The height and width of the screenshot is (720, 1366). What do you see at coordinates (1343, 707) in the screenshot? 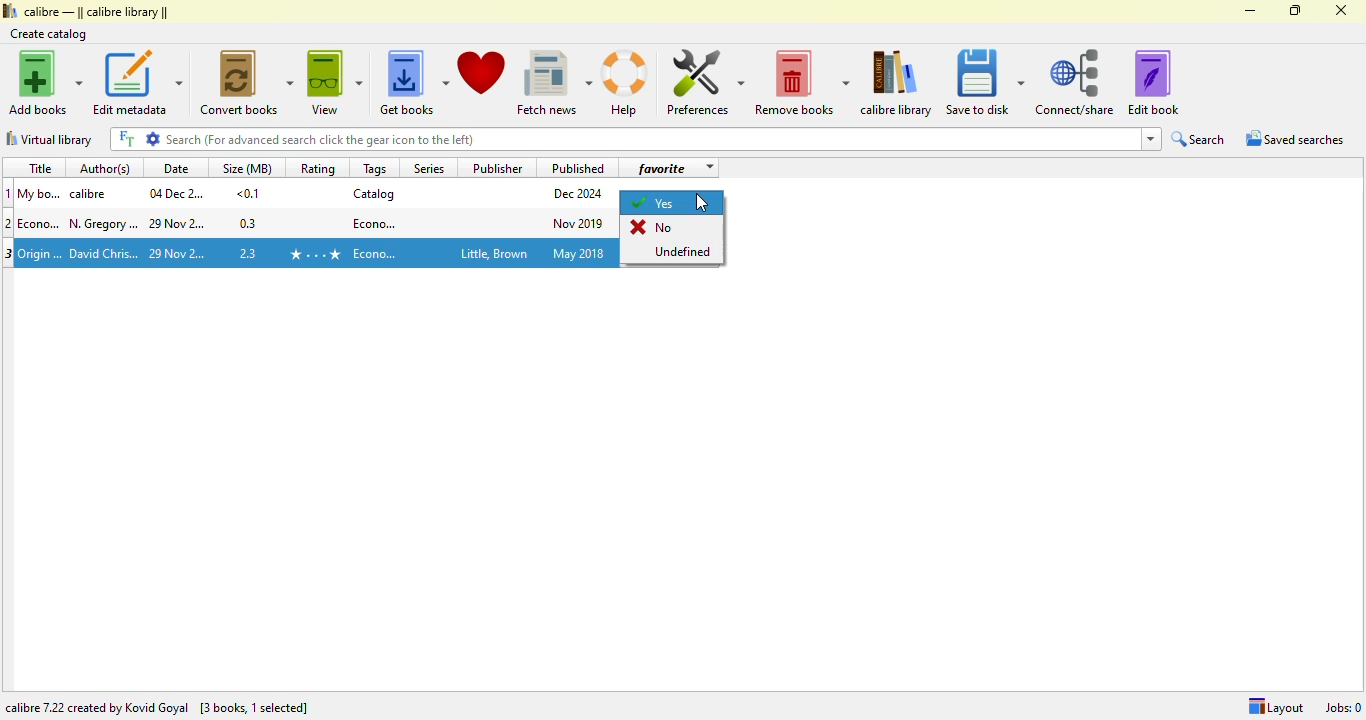
I see `jobs: 0` at bounding box center [1343, 707].